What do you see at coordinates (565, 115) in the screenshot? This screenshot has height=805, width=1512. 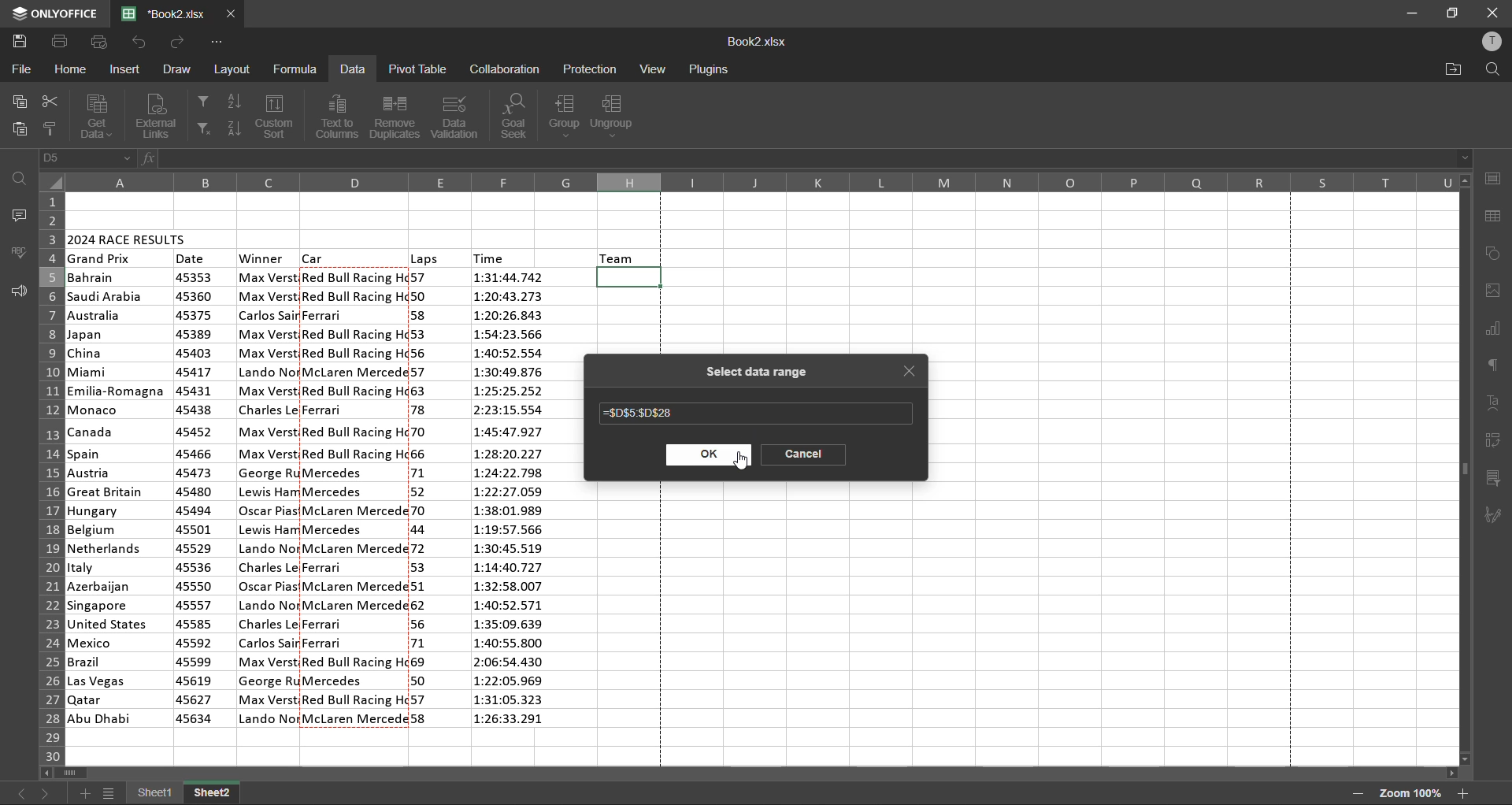 I see `group` at bounding box center [565, 115].